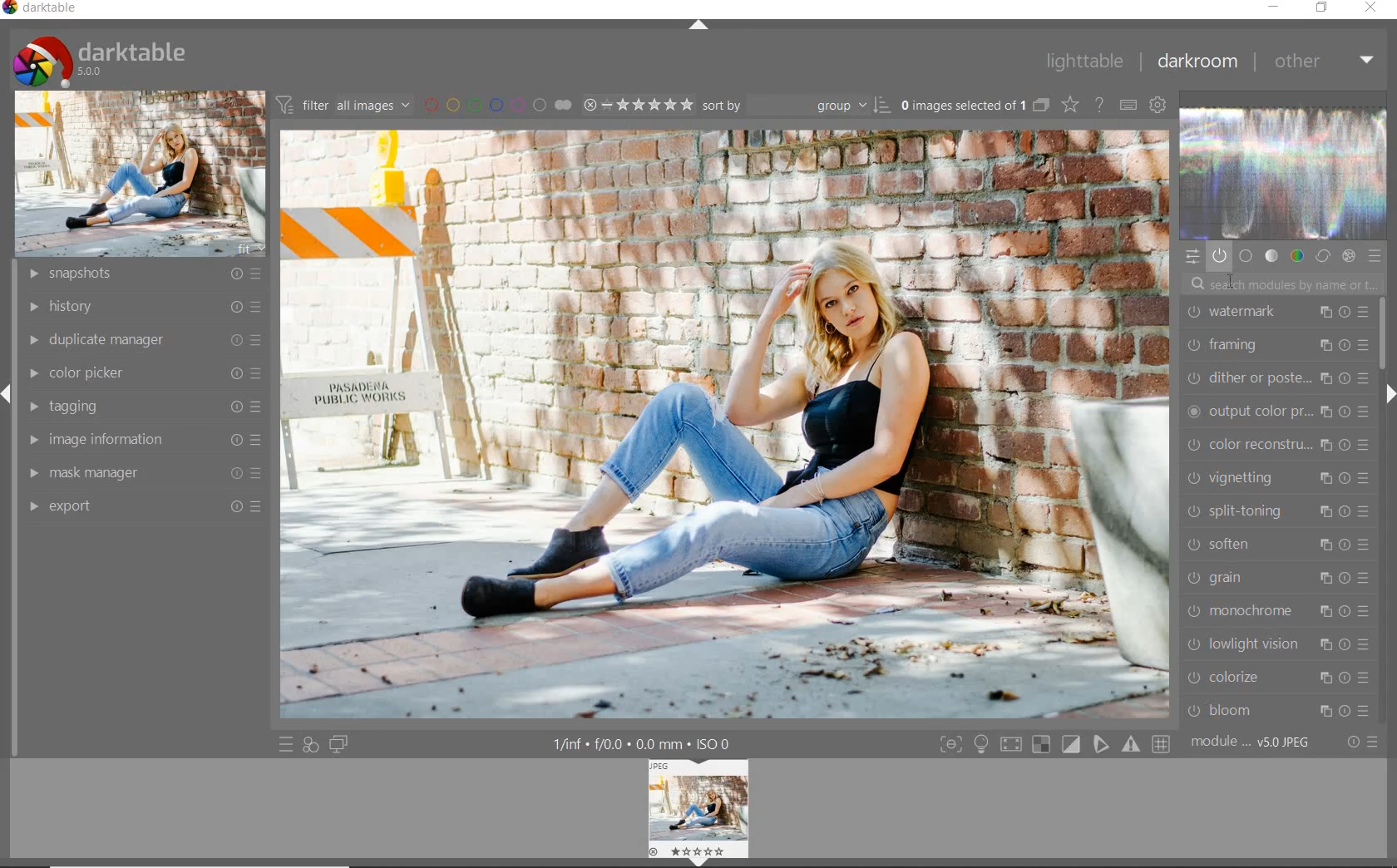 The image size is (1397, 868). What do you see at coordinates (1277, 579) in the screenshot?
I see `grain` at bounding box center [1277, 579].